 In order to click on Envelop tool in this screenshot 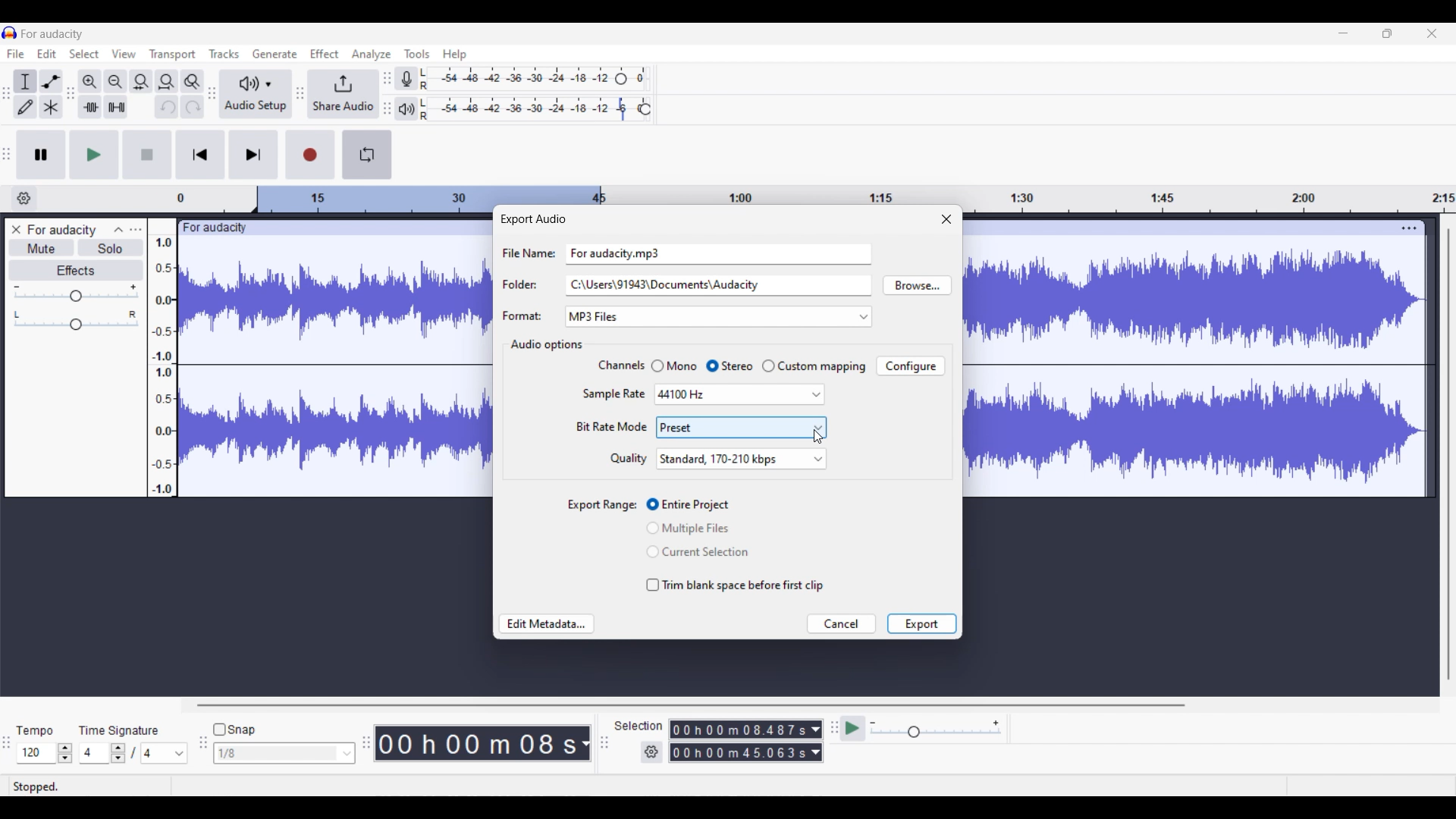, I will do `click(51, 82)`.